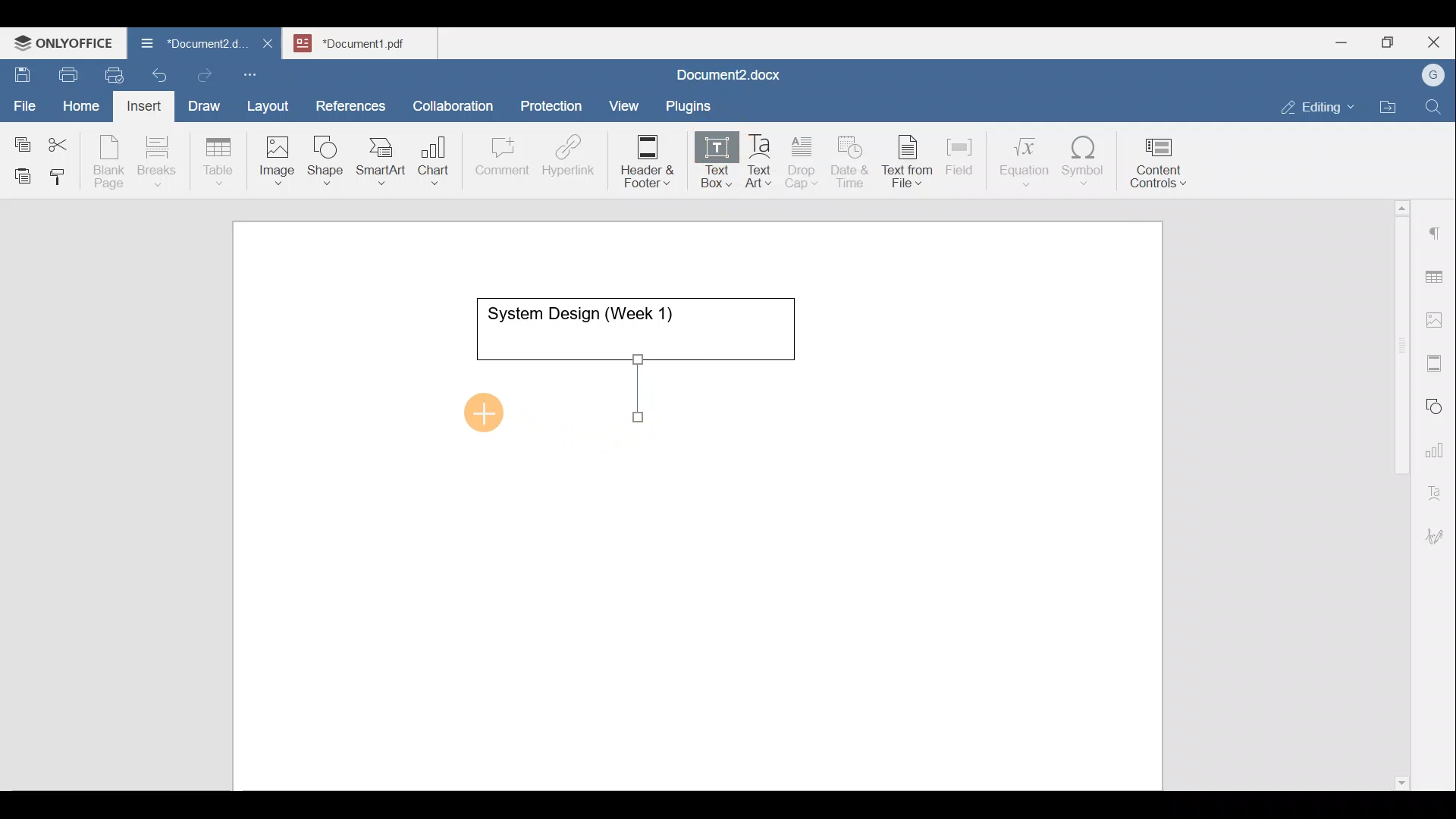 The height and width of the screenshot is (819, 1456). What do you see at coordinates (63, 173) in the screenshot?
I see `Copy style` at bounding box center [63, 173].